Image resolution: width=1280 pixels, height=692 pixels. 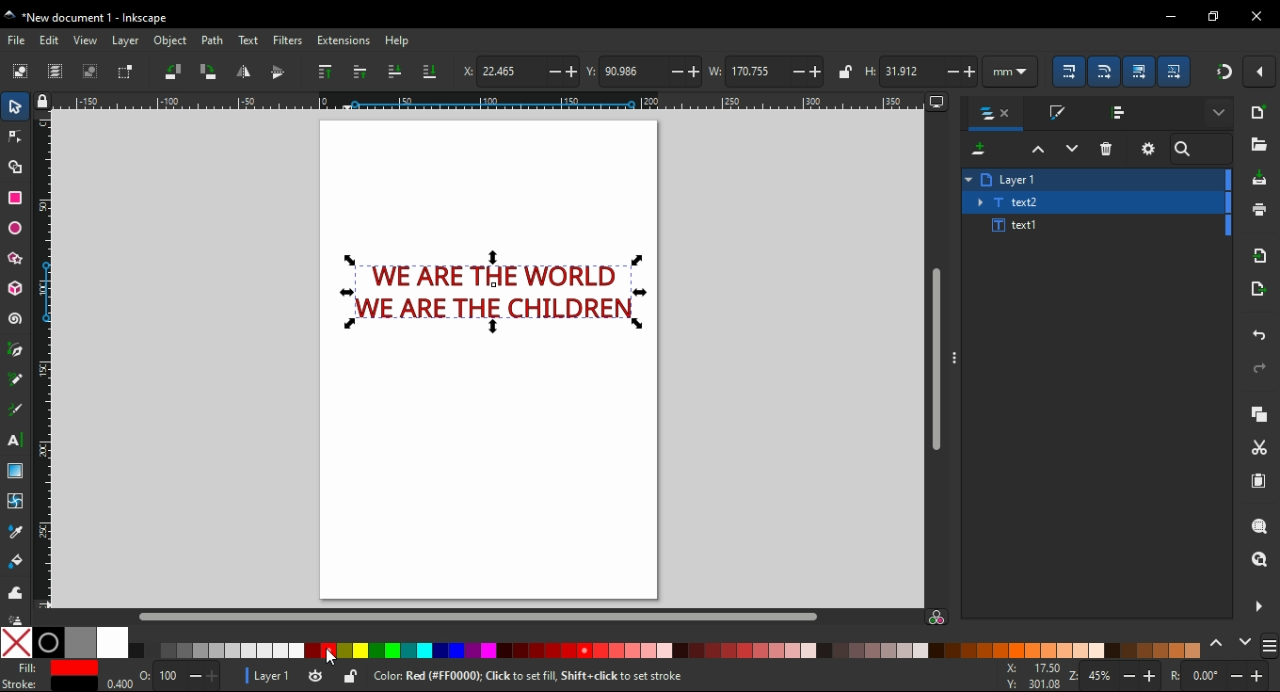 I want to click on horizontal coordinates of selected object, so click(x=518, y=69).